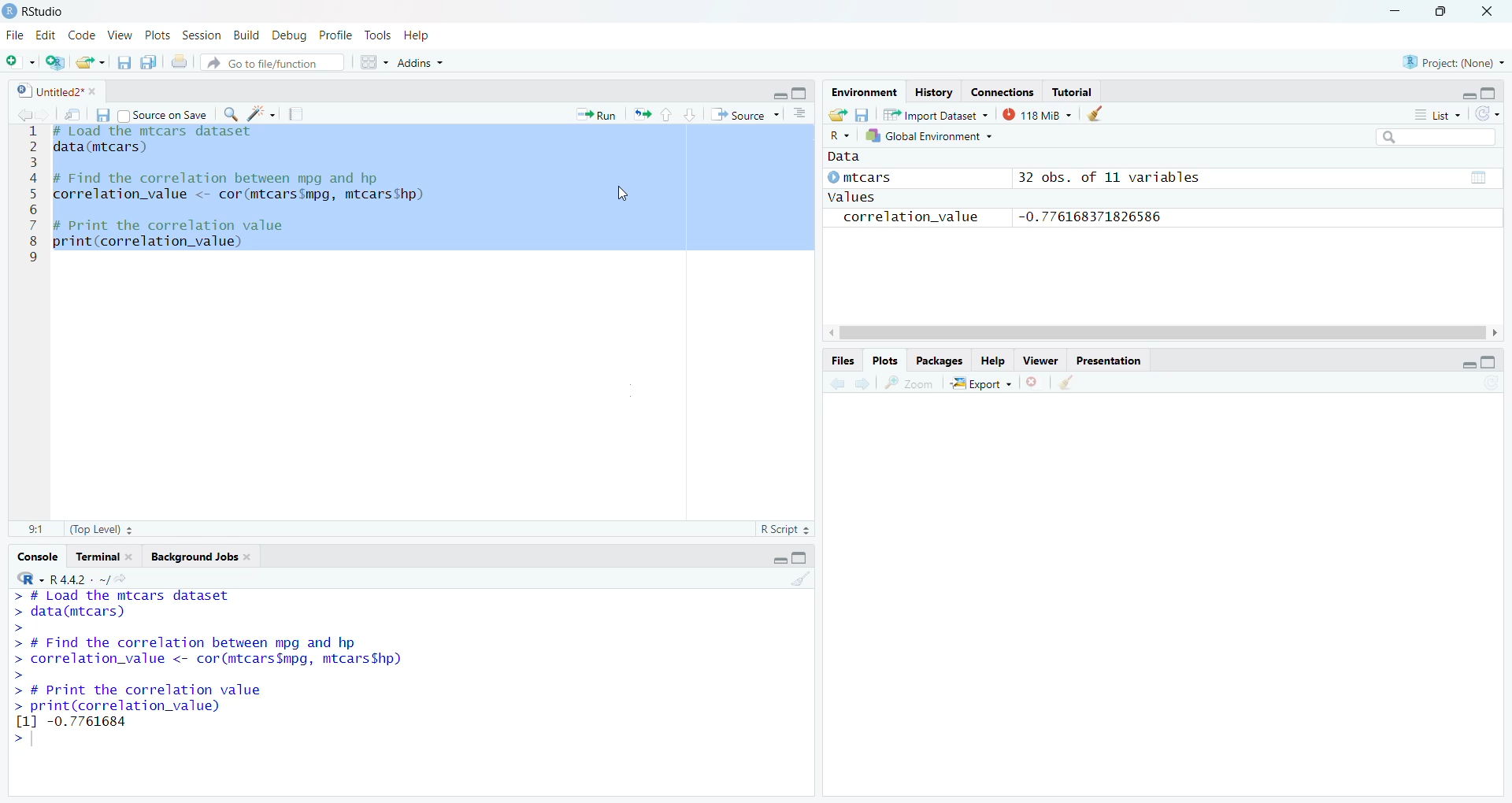  What do you see at coordinates (1454, 63) in the screenshot?
I see `Project (None)` at bounding box center [1454, 63].